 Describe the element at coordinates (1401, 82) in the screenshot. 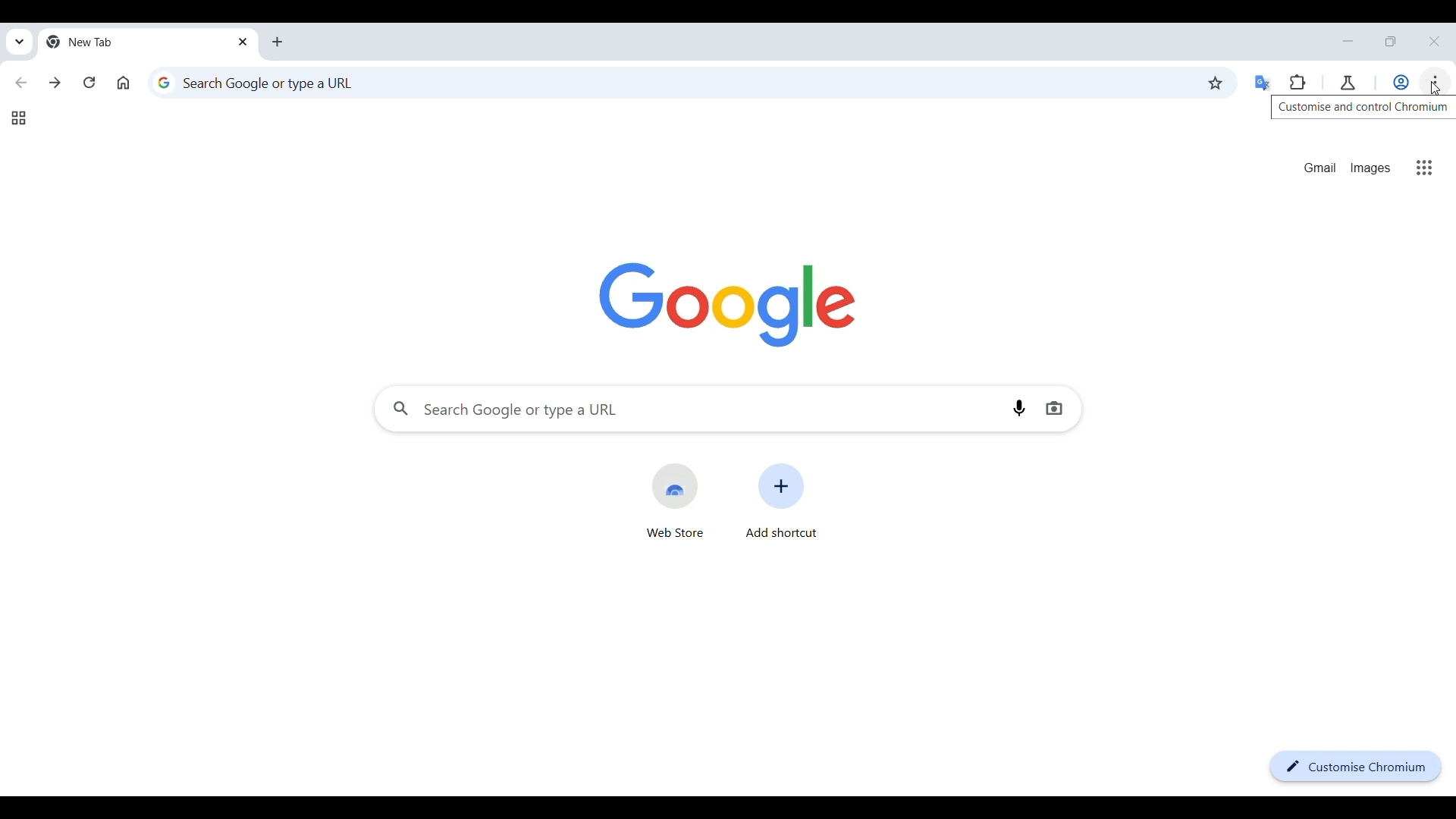

I see `Work` at that location.